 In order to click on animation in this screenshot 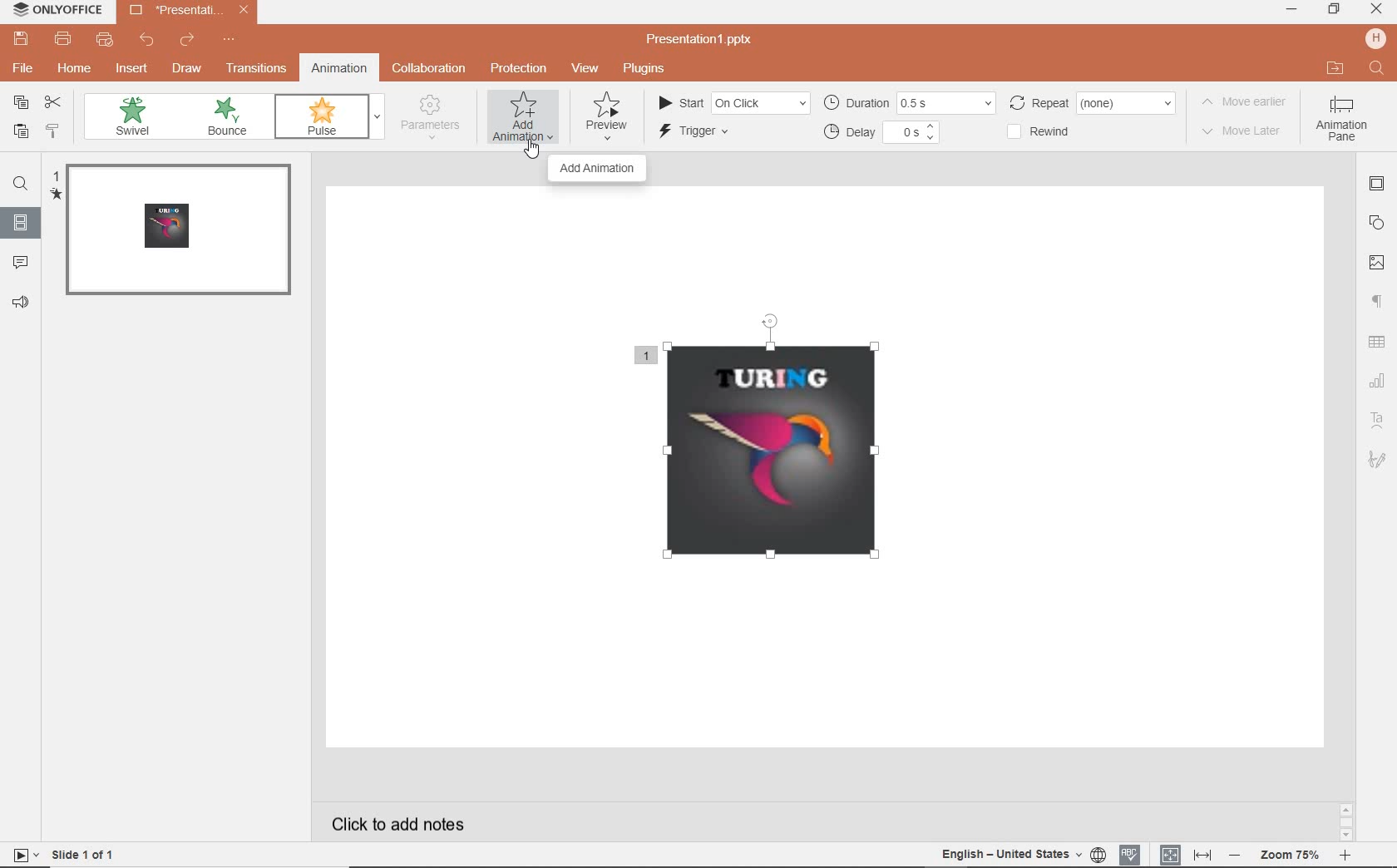, I will do `click(338, 70)`.